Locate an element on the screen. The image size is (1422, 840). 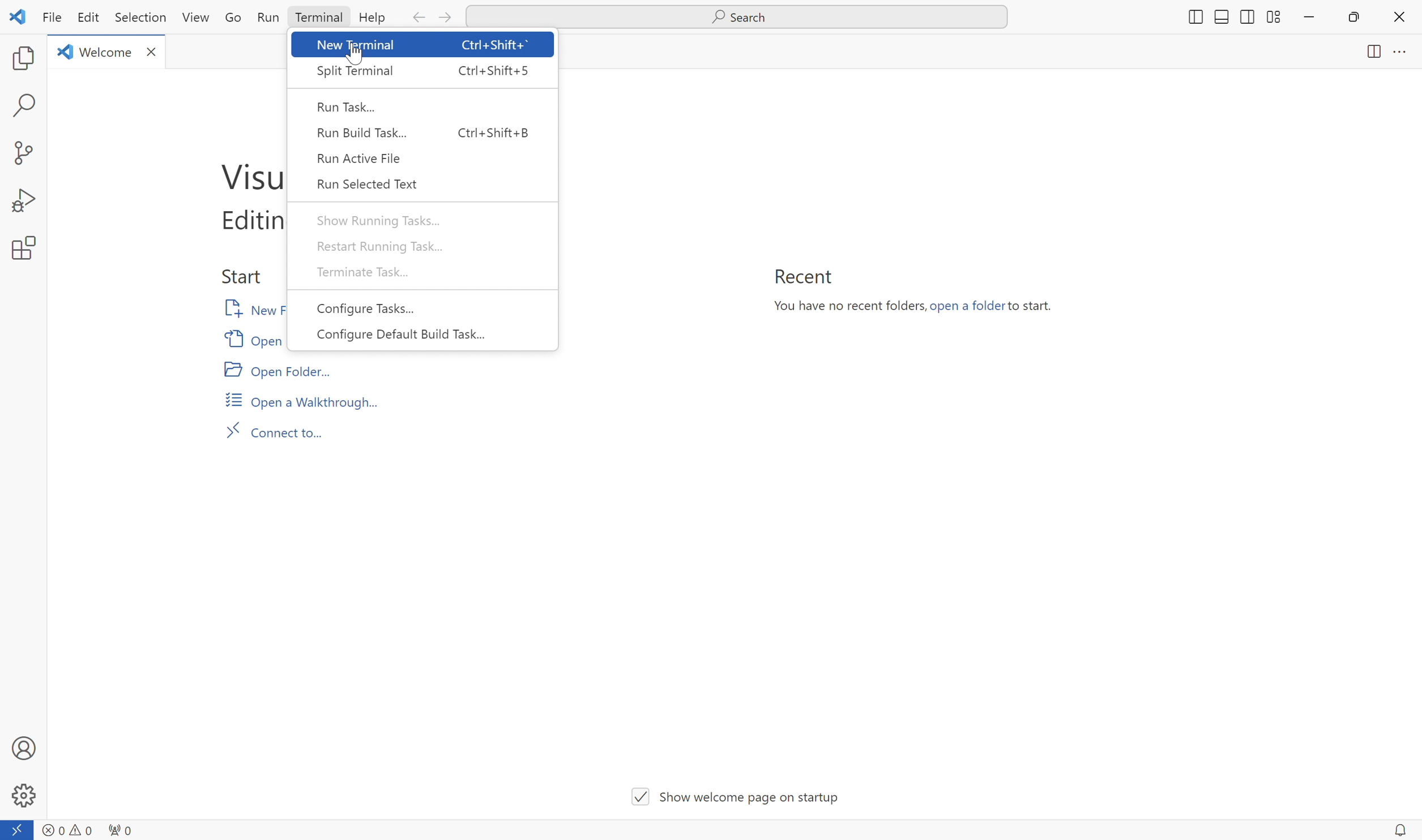
File is located at coordinates (49, 18).